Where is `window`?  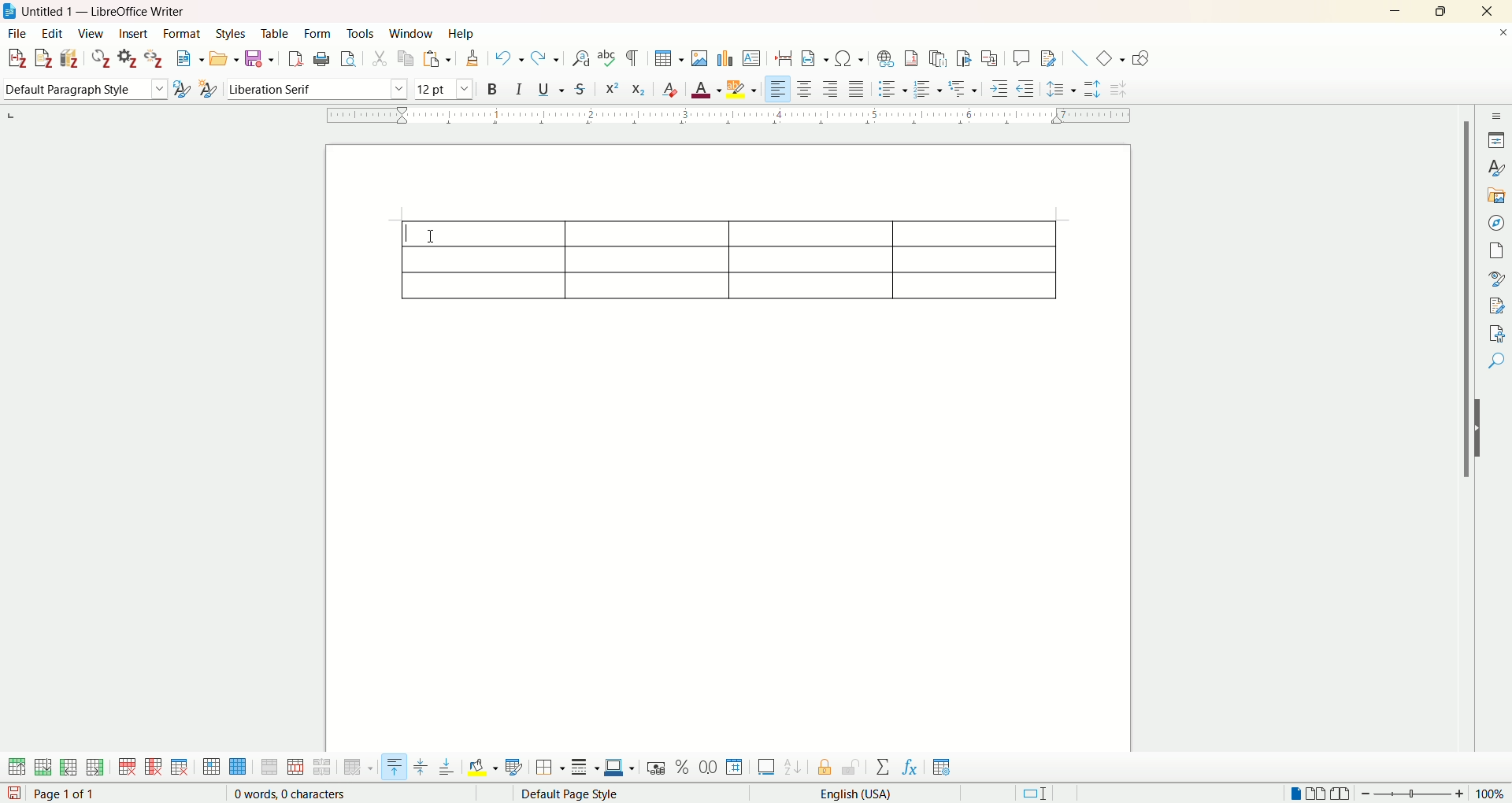
window is located at coordinates (411, 35).